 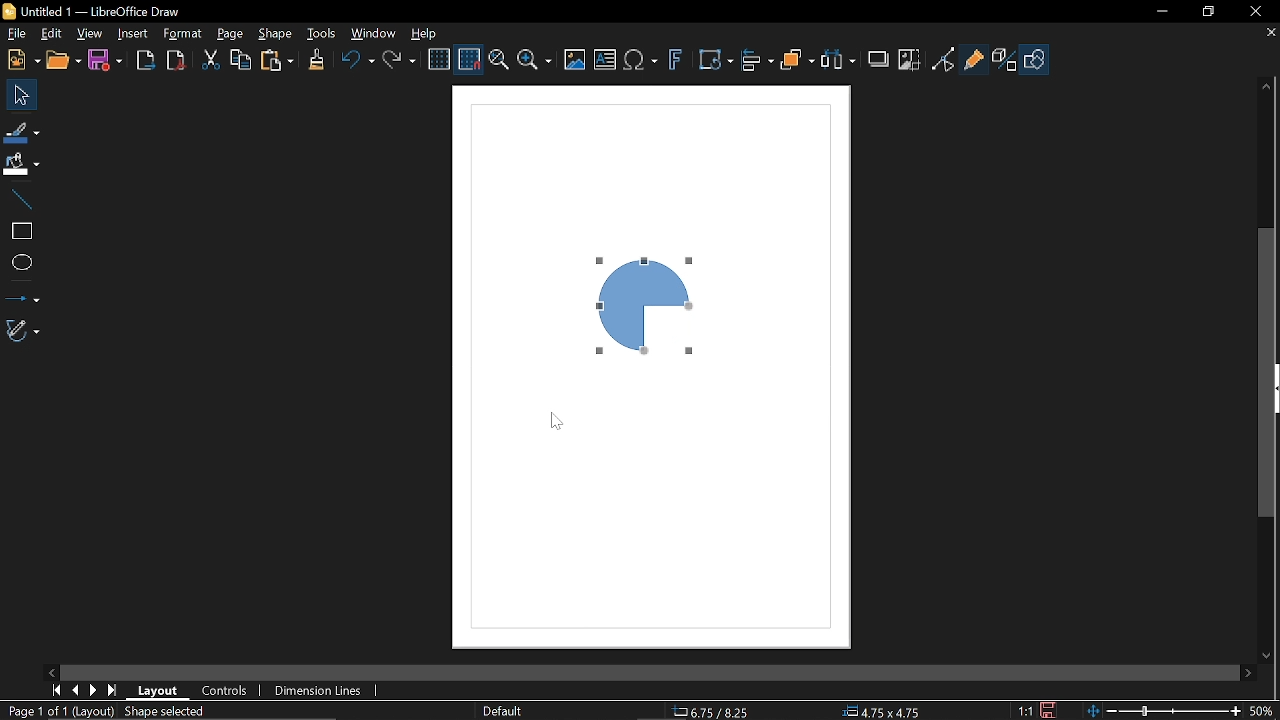 What do you see at coordinates (974, 58) in the screenshot?
I see `Glue` at bounding box center [974, 58].